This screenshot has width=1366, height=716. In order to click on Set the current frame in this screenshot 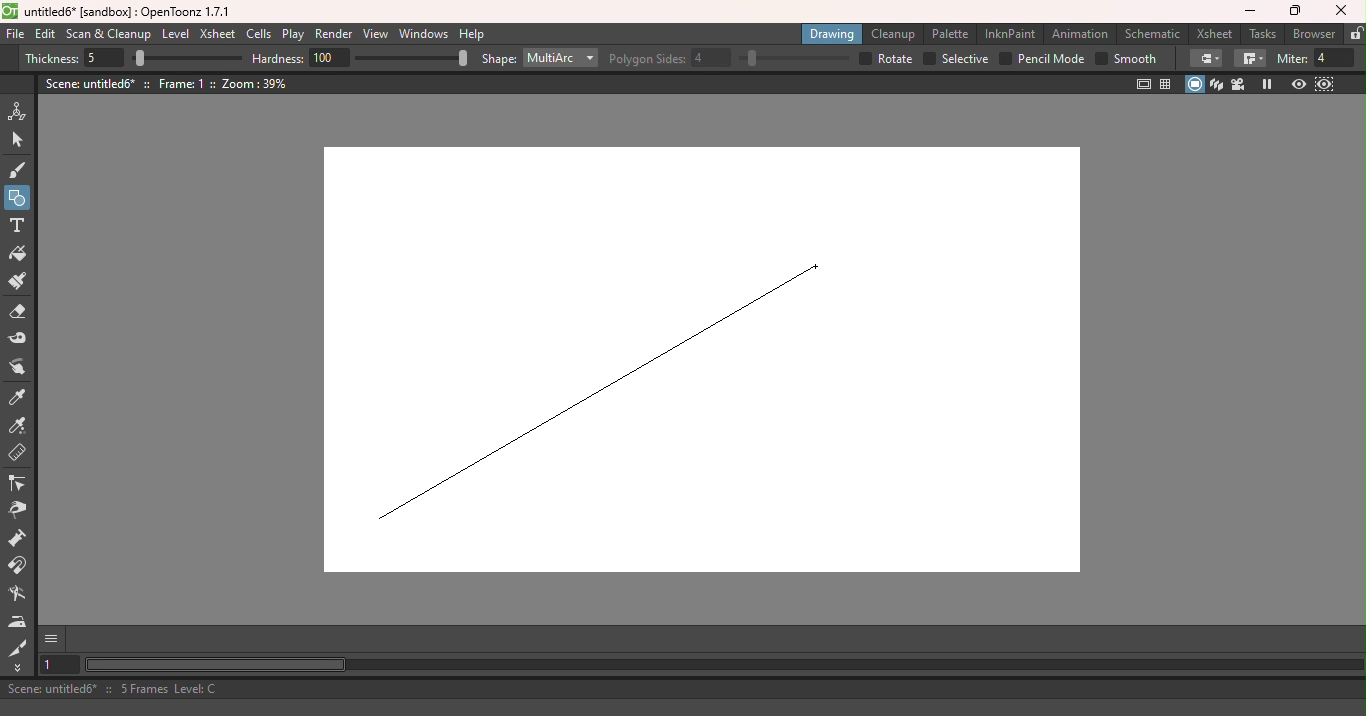, I will do `click(59, 666)`.